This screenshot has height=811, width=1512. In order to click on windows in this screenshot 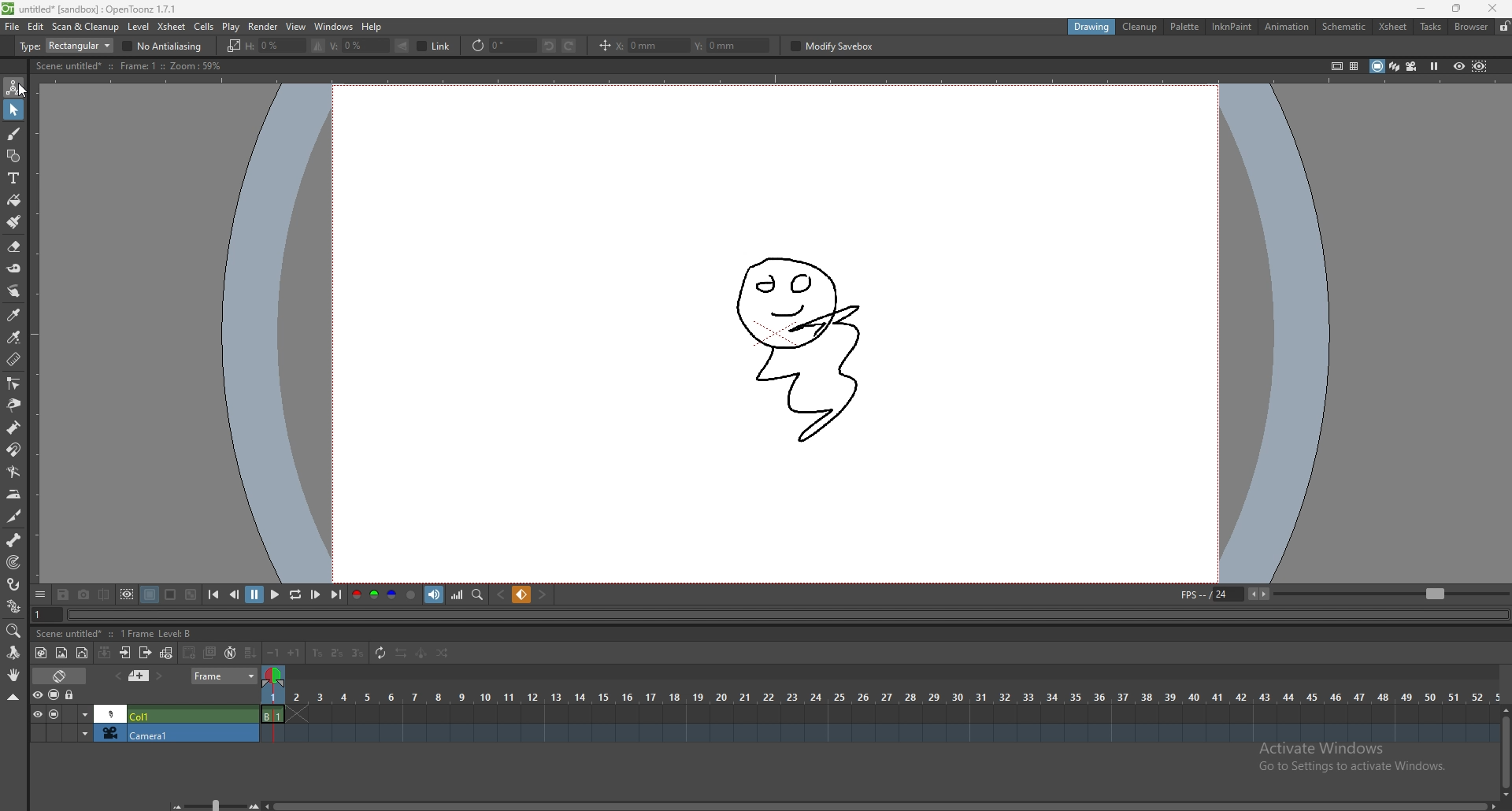, I will do `click(334, 27)`.